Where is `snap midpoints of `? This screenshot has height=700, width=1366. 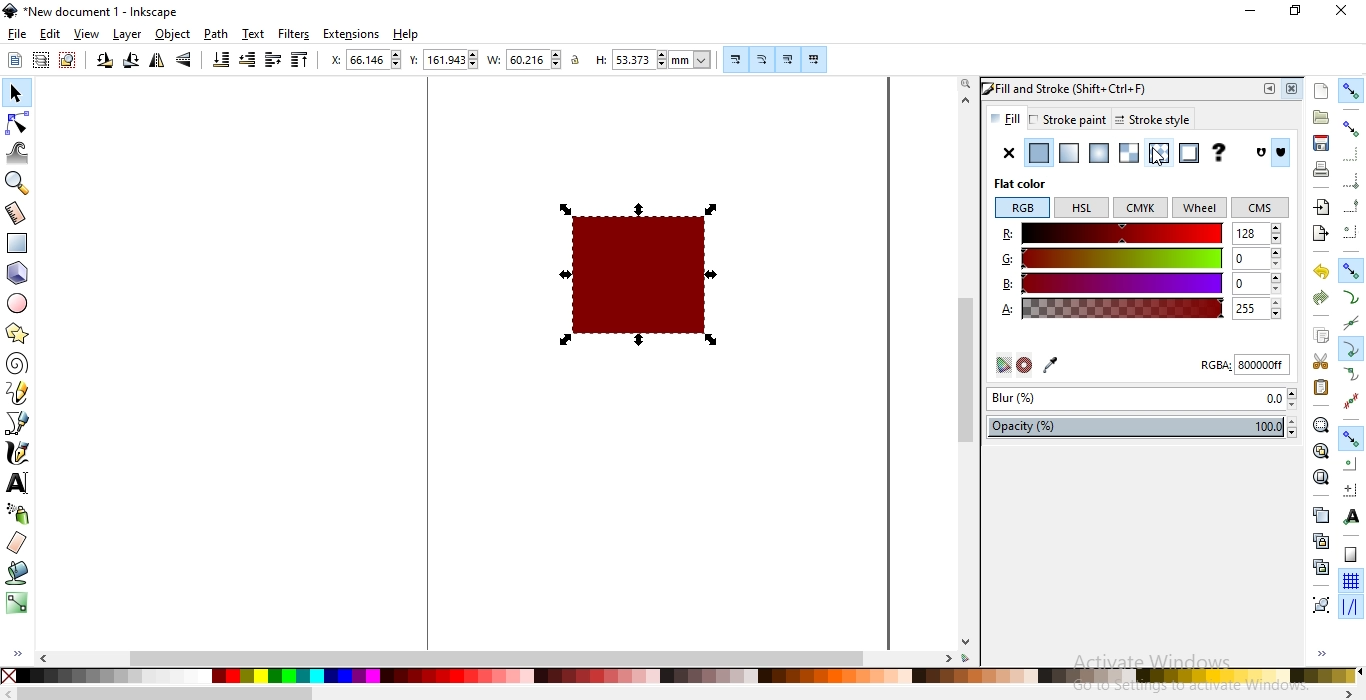 snap midpoints of  is located at coordinates (1351, 208).